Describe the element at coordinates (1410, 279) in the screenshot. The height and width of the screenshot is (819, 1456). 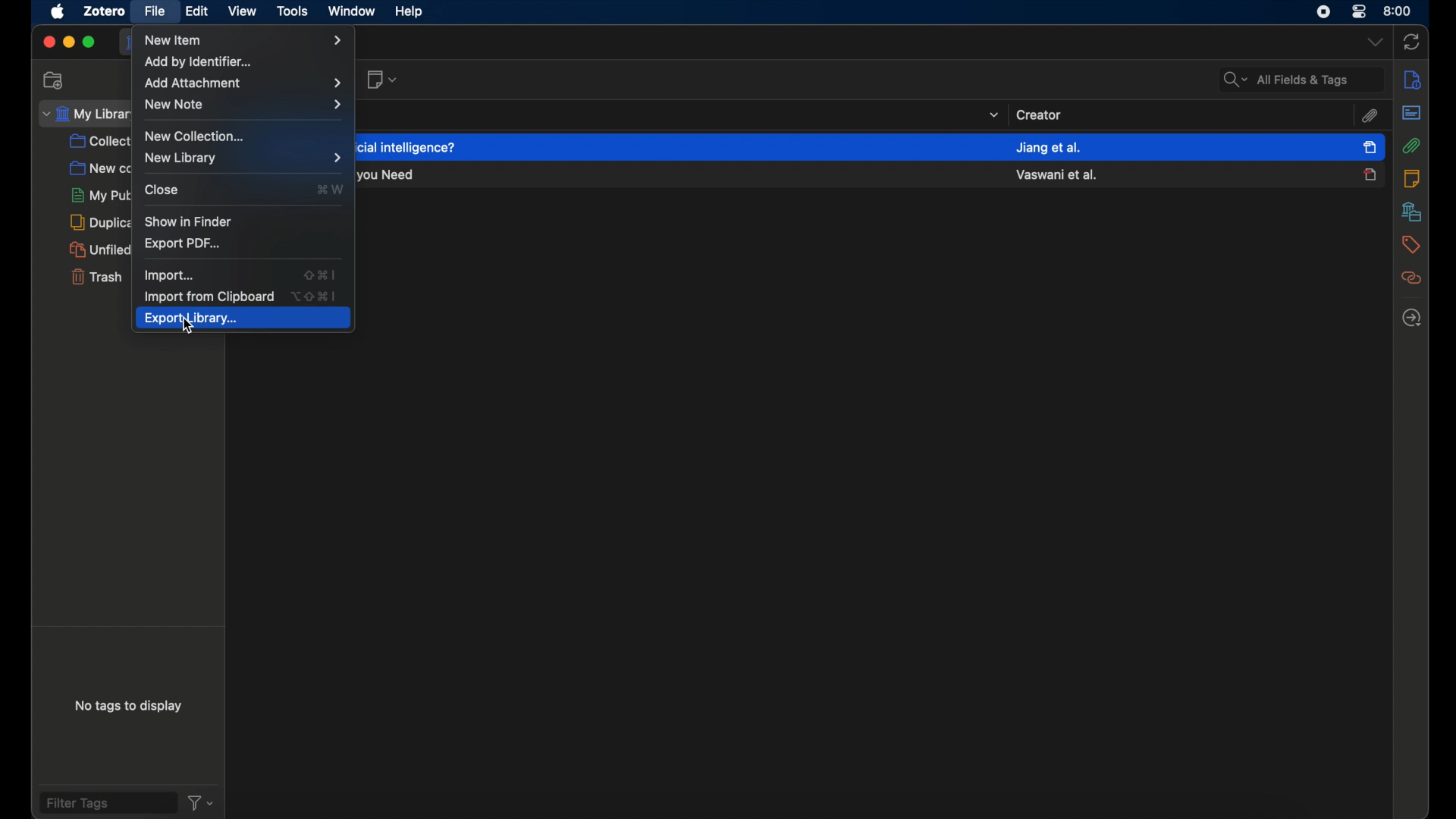
I see `related` at that location.